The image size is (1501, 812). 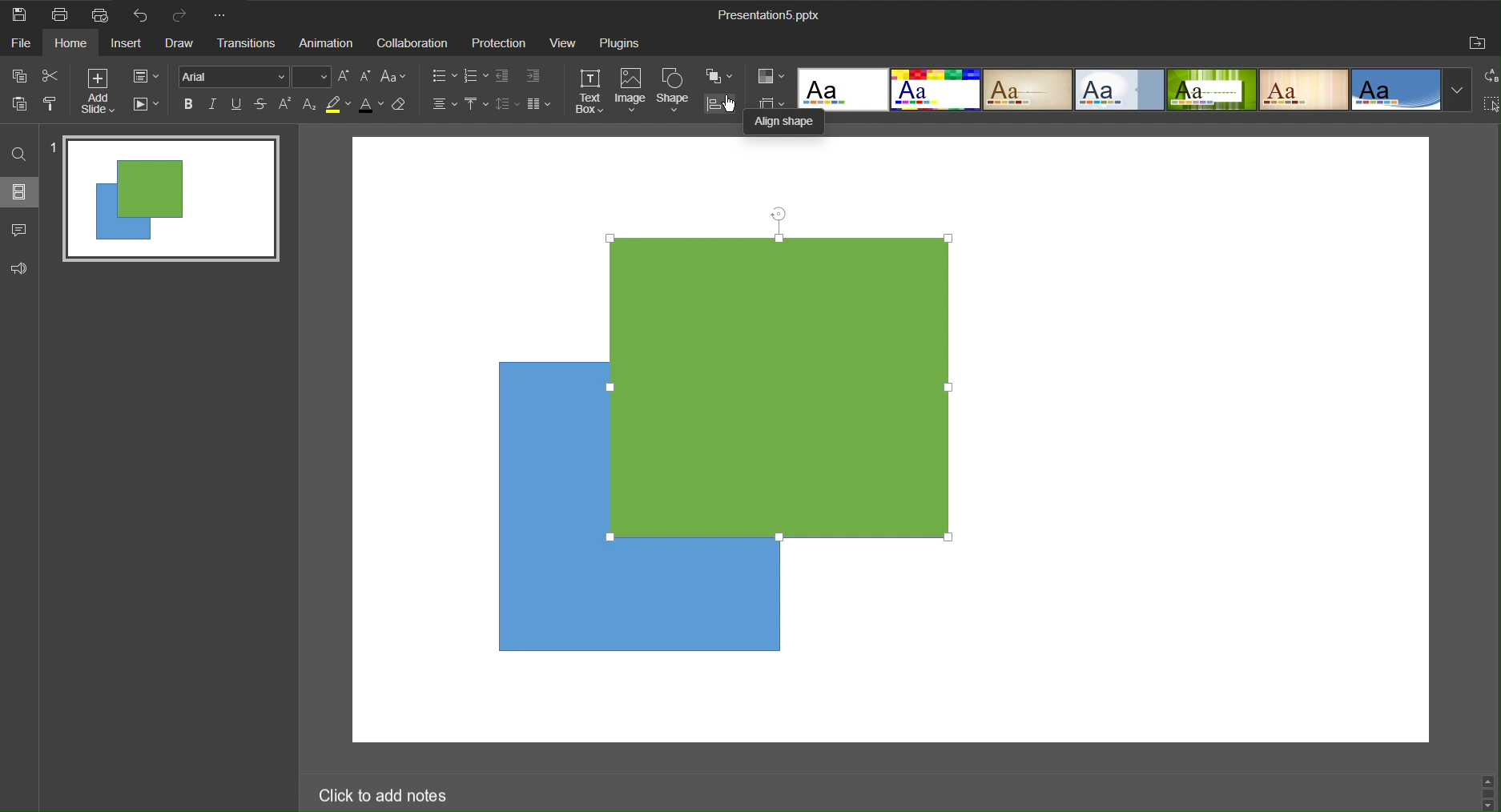 I want to click on Line Spacing, so click(x=509, y=106).